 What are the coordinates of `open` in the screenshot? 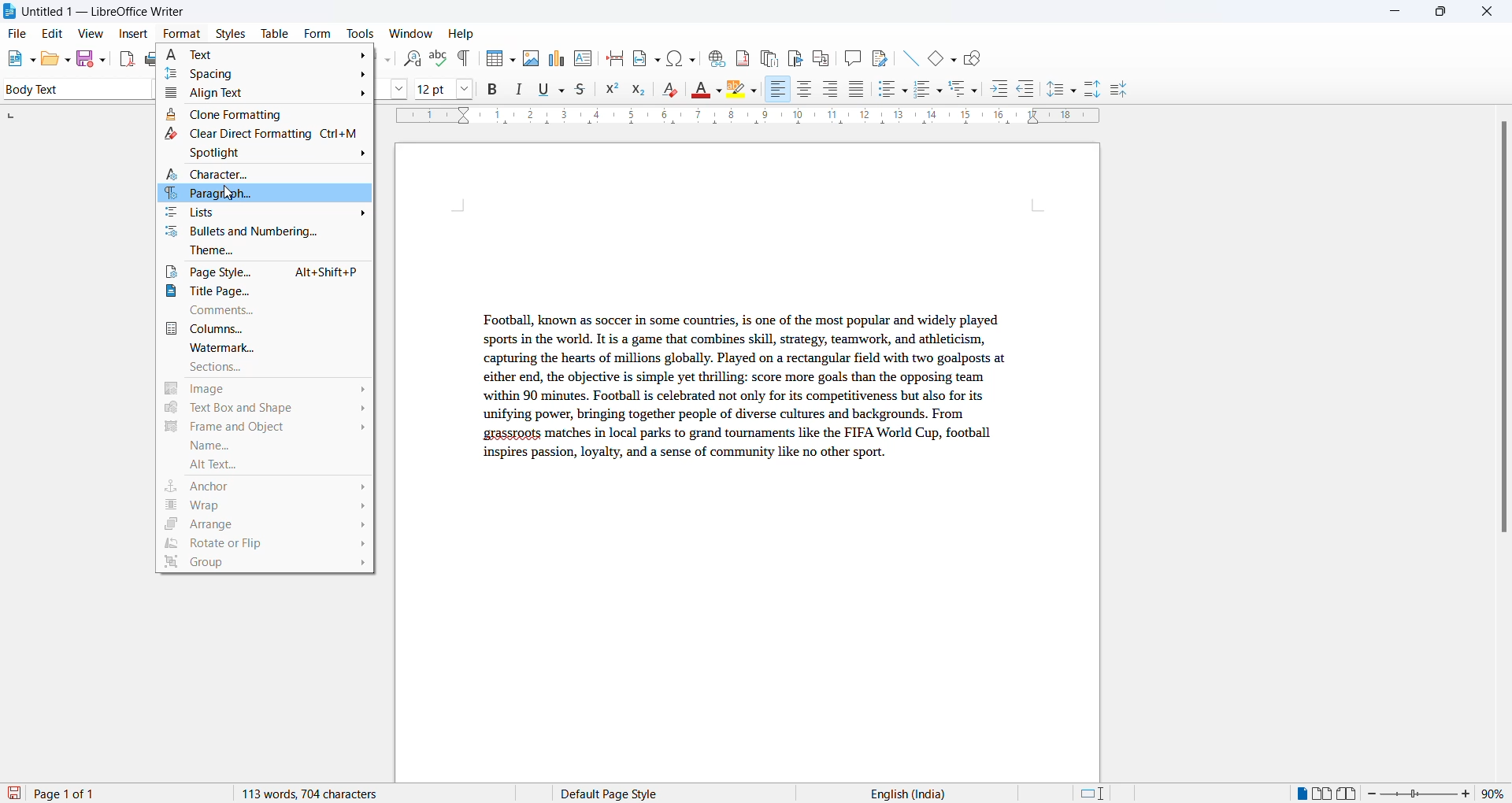 It's located at (55, 58).